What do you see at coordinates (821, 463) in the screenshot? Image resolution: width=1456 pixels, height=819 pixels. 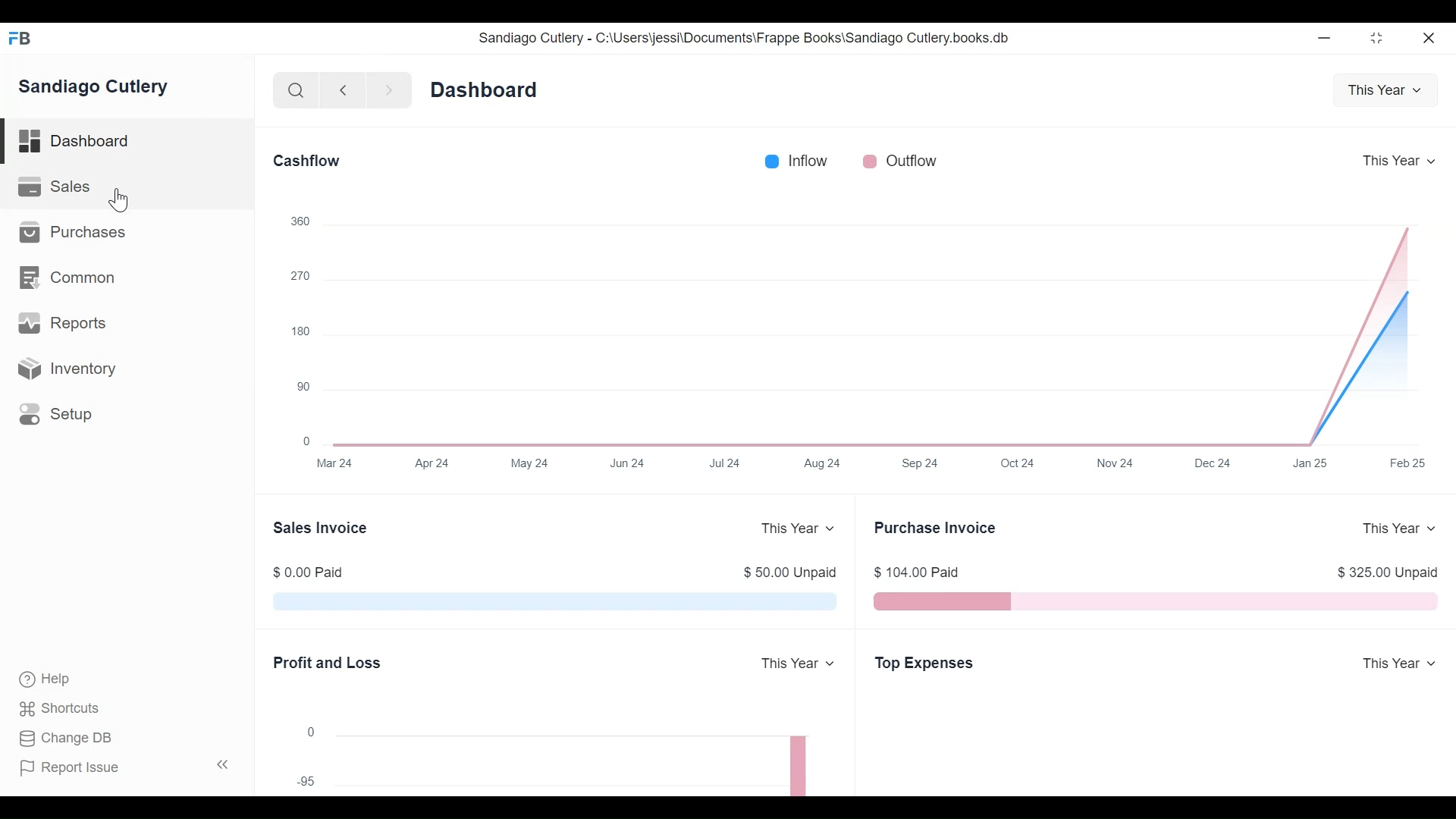 I see `Aug 24` at bounding box center [821, 463].